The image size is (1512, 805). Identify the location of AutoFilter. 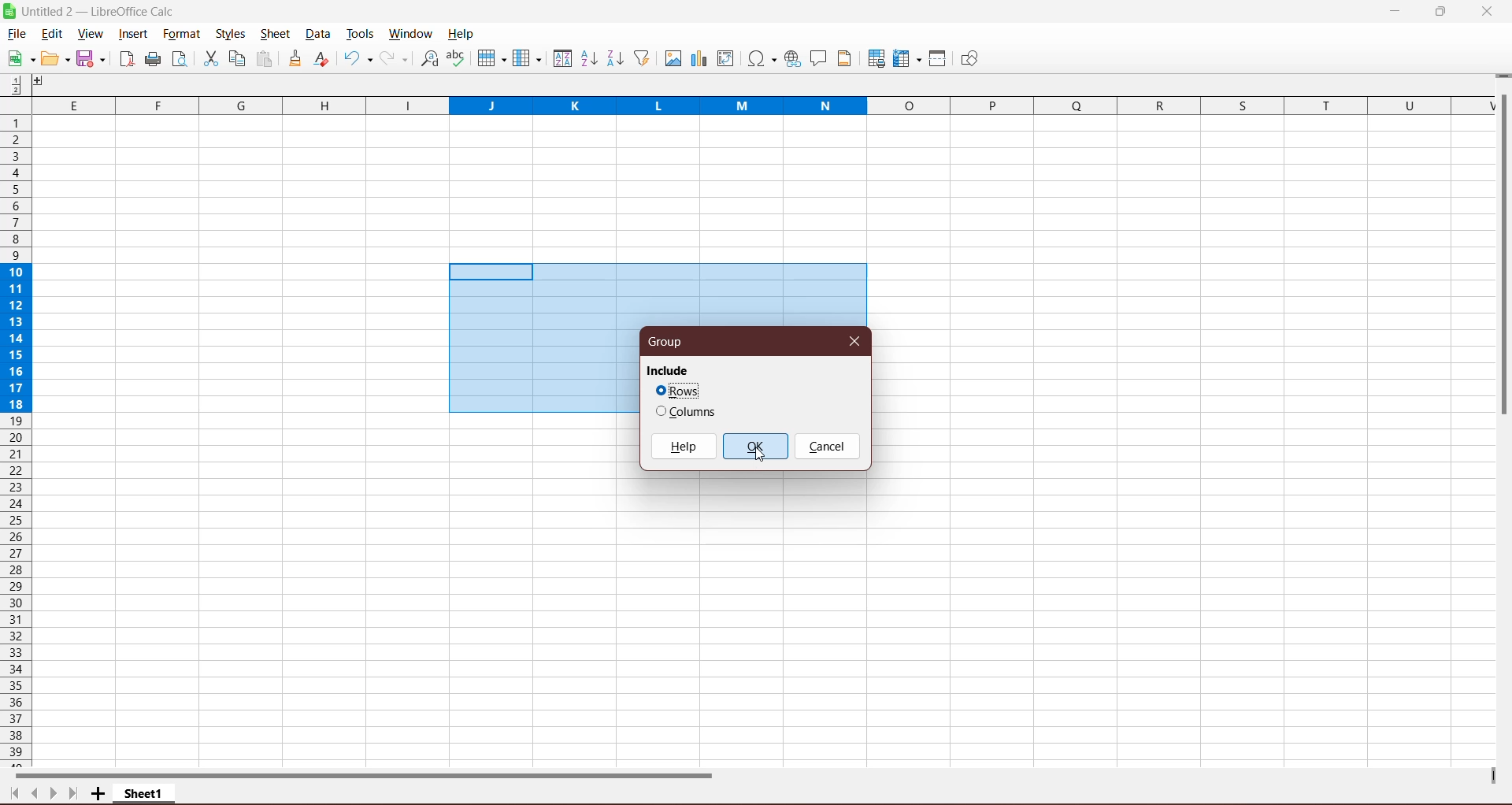
(643, 58).